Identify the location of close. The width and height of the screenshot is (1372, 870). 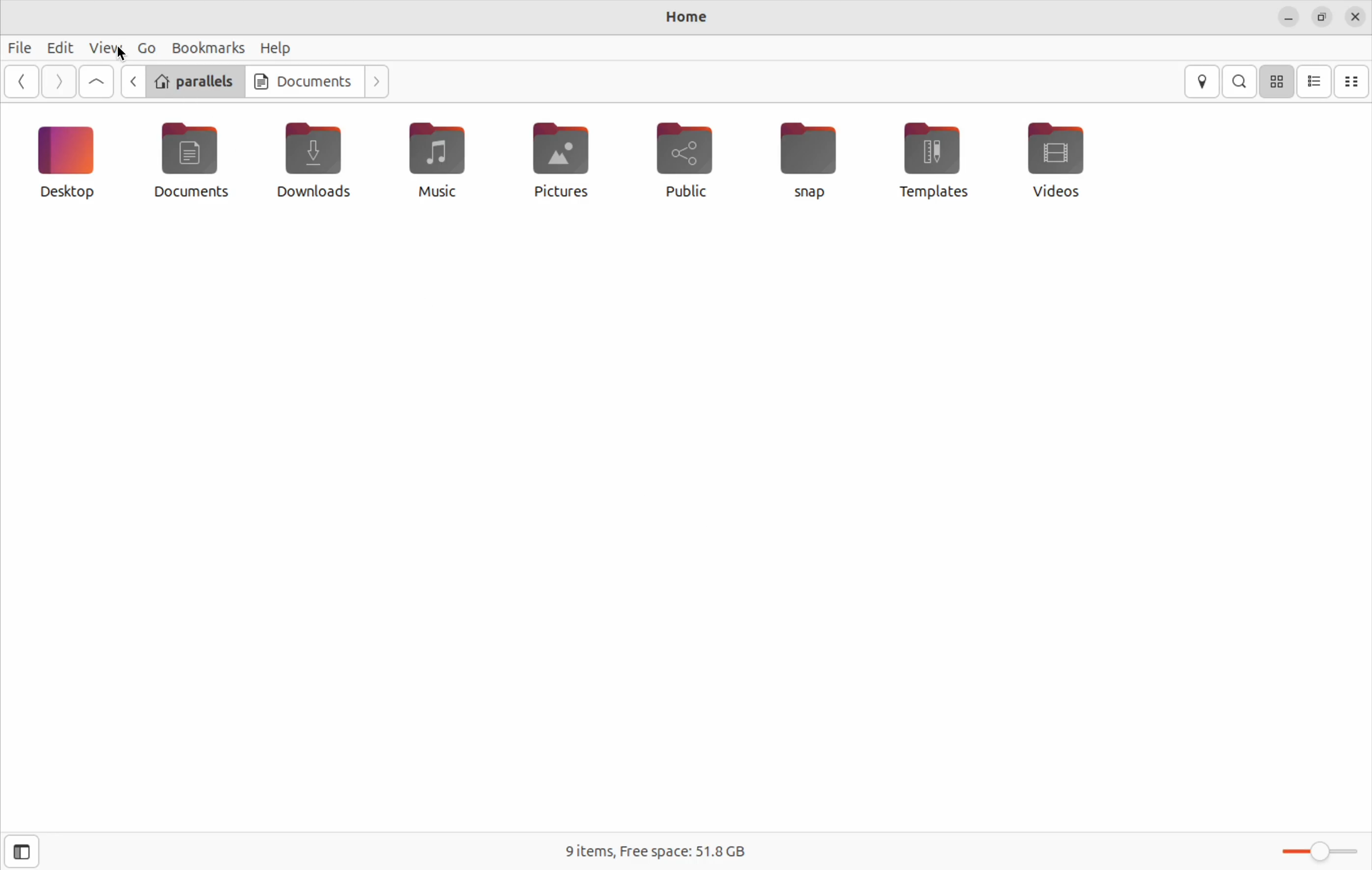
(1355, 17).